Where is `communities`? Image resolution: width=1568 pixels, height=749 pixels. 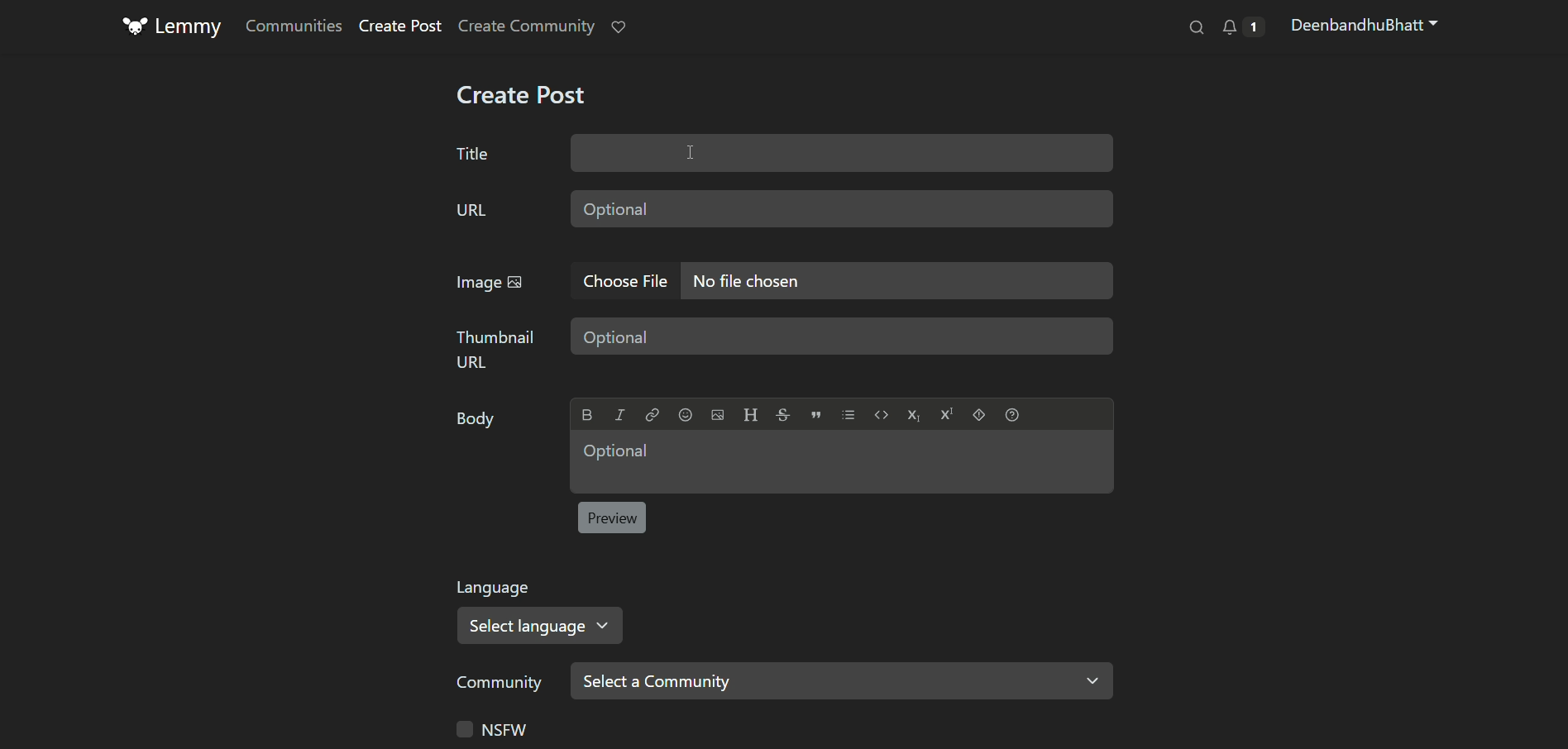 communities is located at coordinates (293, 26).